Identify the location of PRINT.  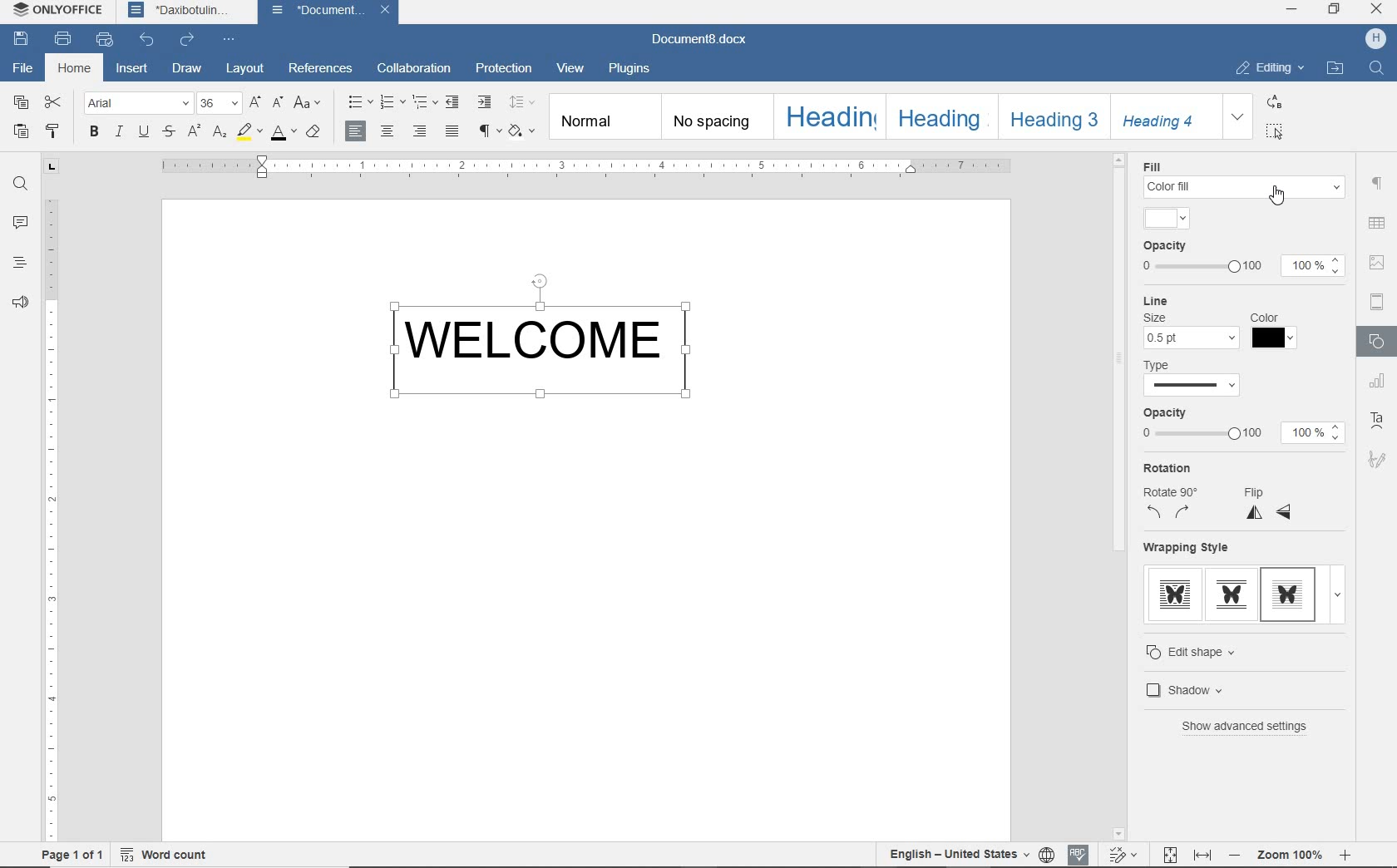
(62, 39).